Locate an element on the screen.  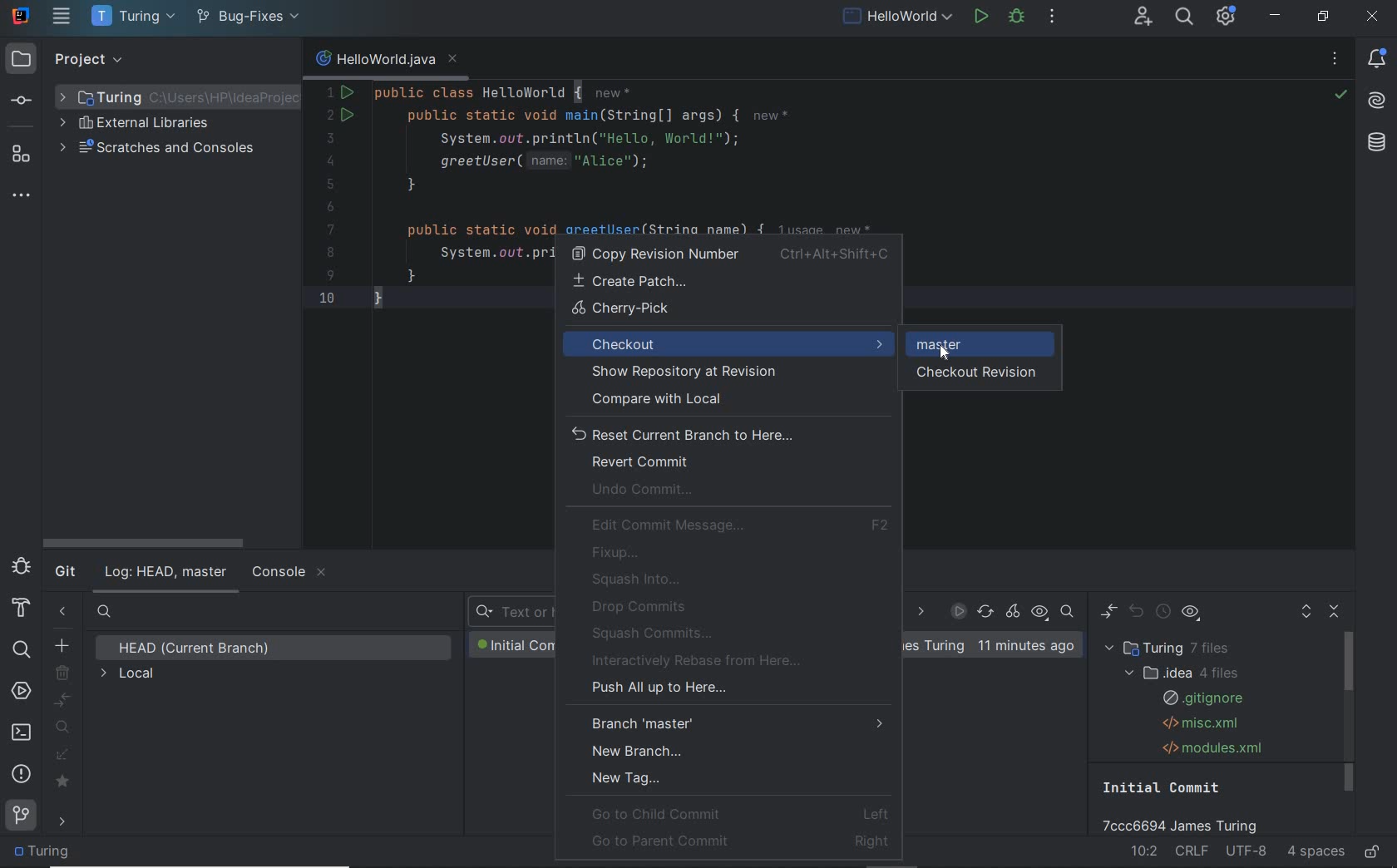
undo commit is located at coordinates (649, 491).